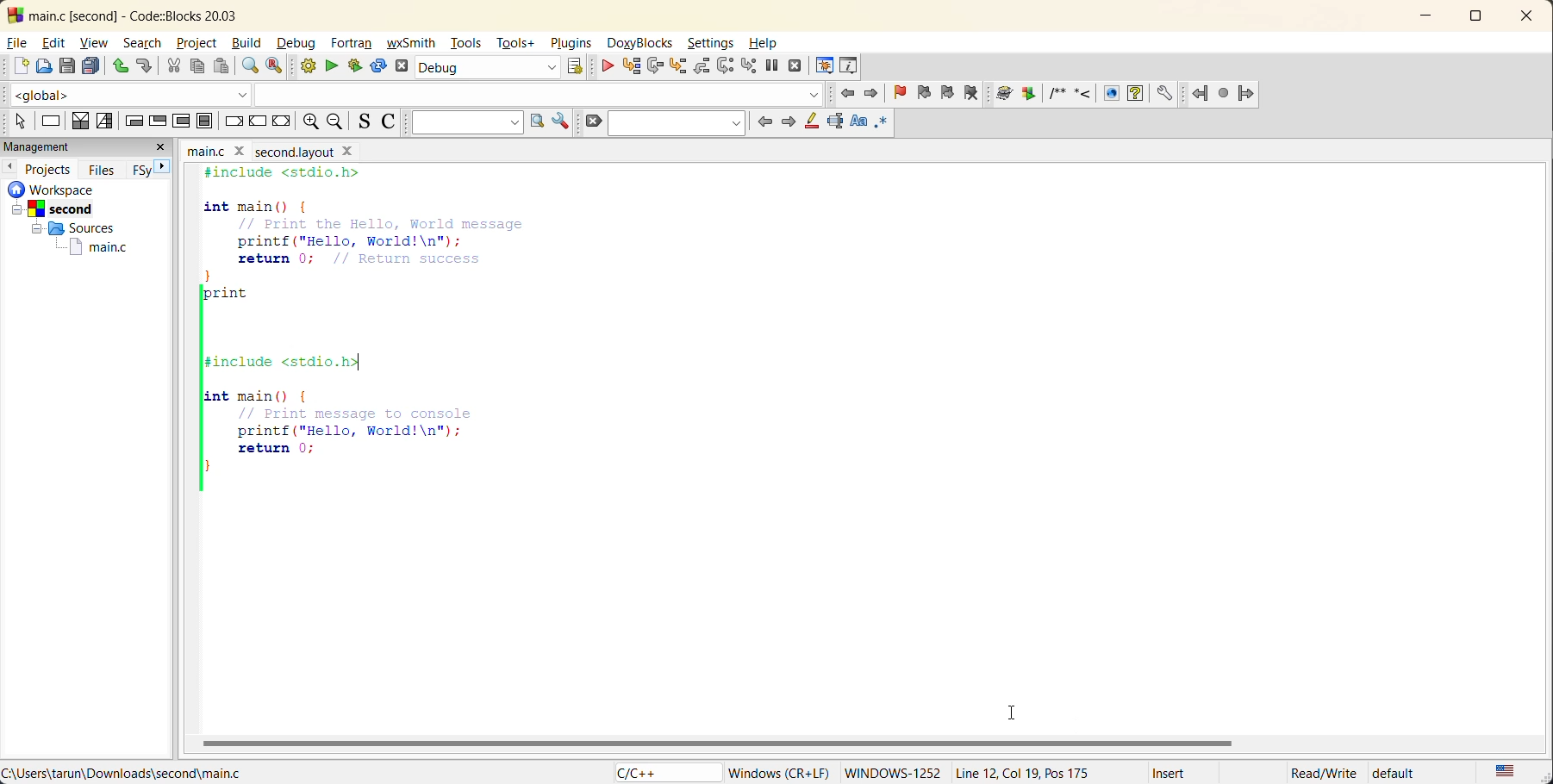 This screenshot has width=1553, height=784. Describe the element at coordinates (1012, 712) in the screenshot. I see `cursor` at that location.